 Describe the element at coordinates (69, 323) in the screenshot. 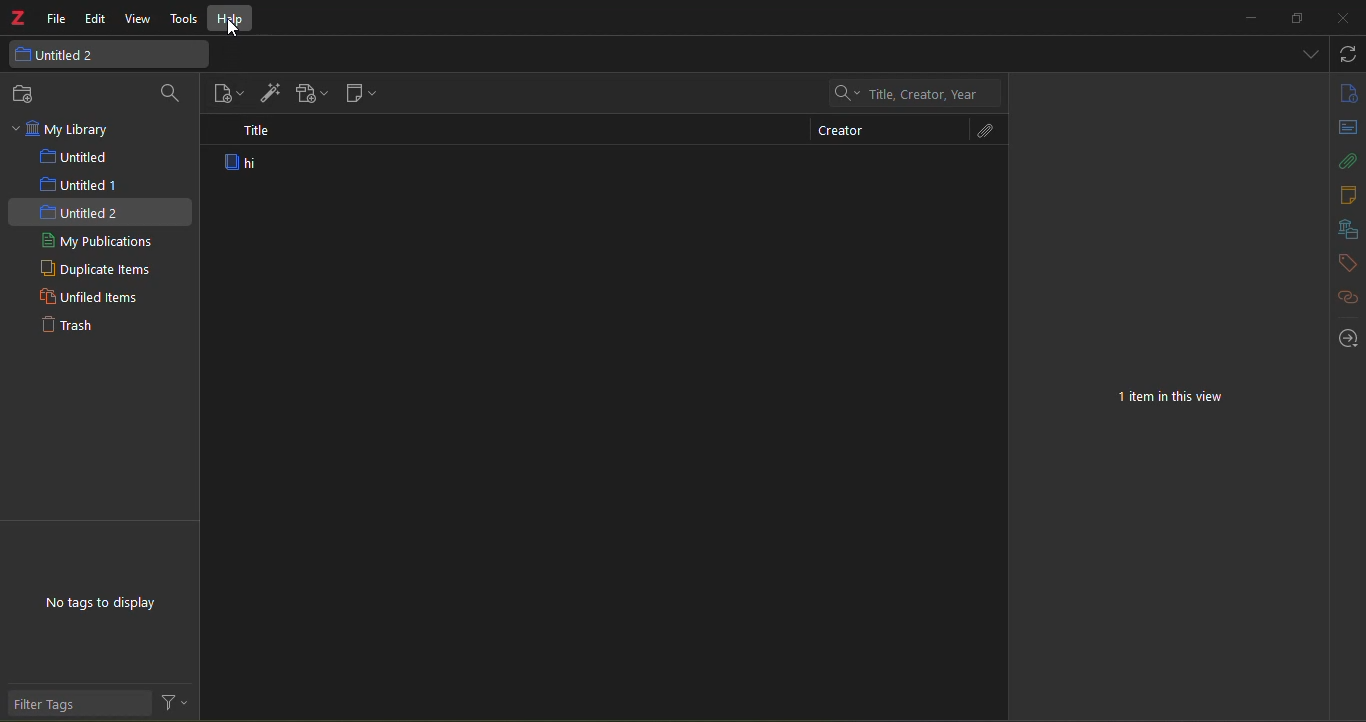

I see `trash` at that location.